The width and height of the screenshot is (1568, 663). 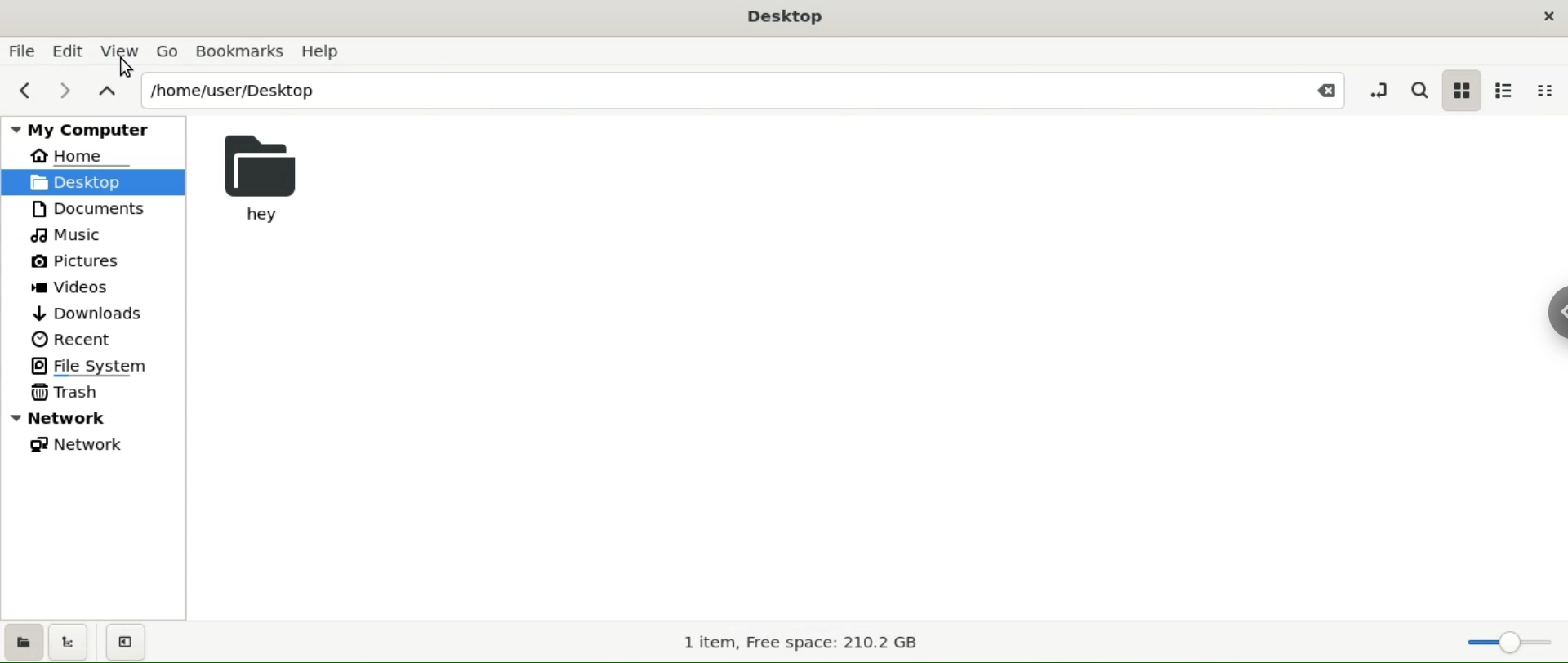 I want to click on home, so click(x=82, y=158).